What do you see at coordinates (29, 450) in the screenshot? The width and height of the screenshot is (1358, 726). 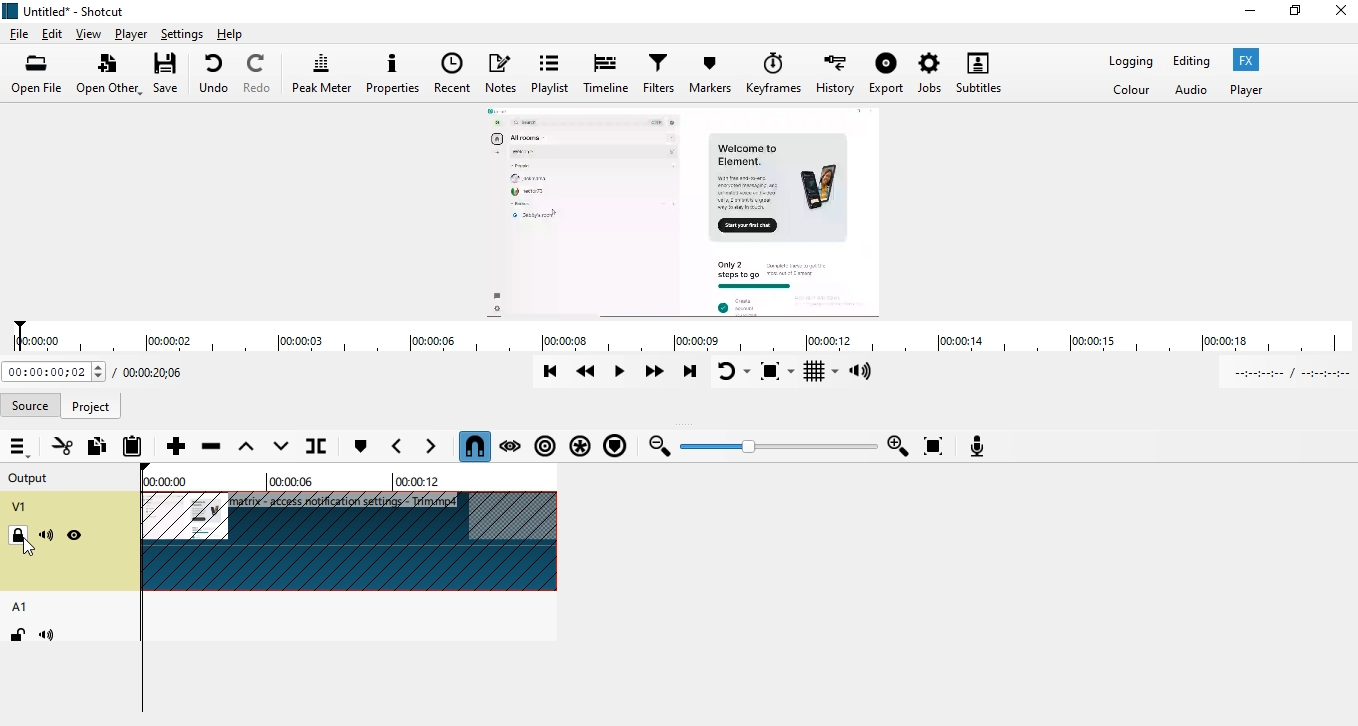 I see `` at bounding box center [29, 450].